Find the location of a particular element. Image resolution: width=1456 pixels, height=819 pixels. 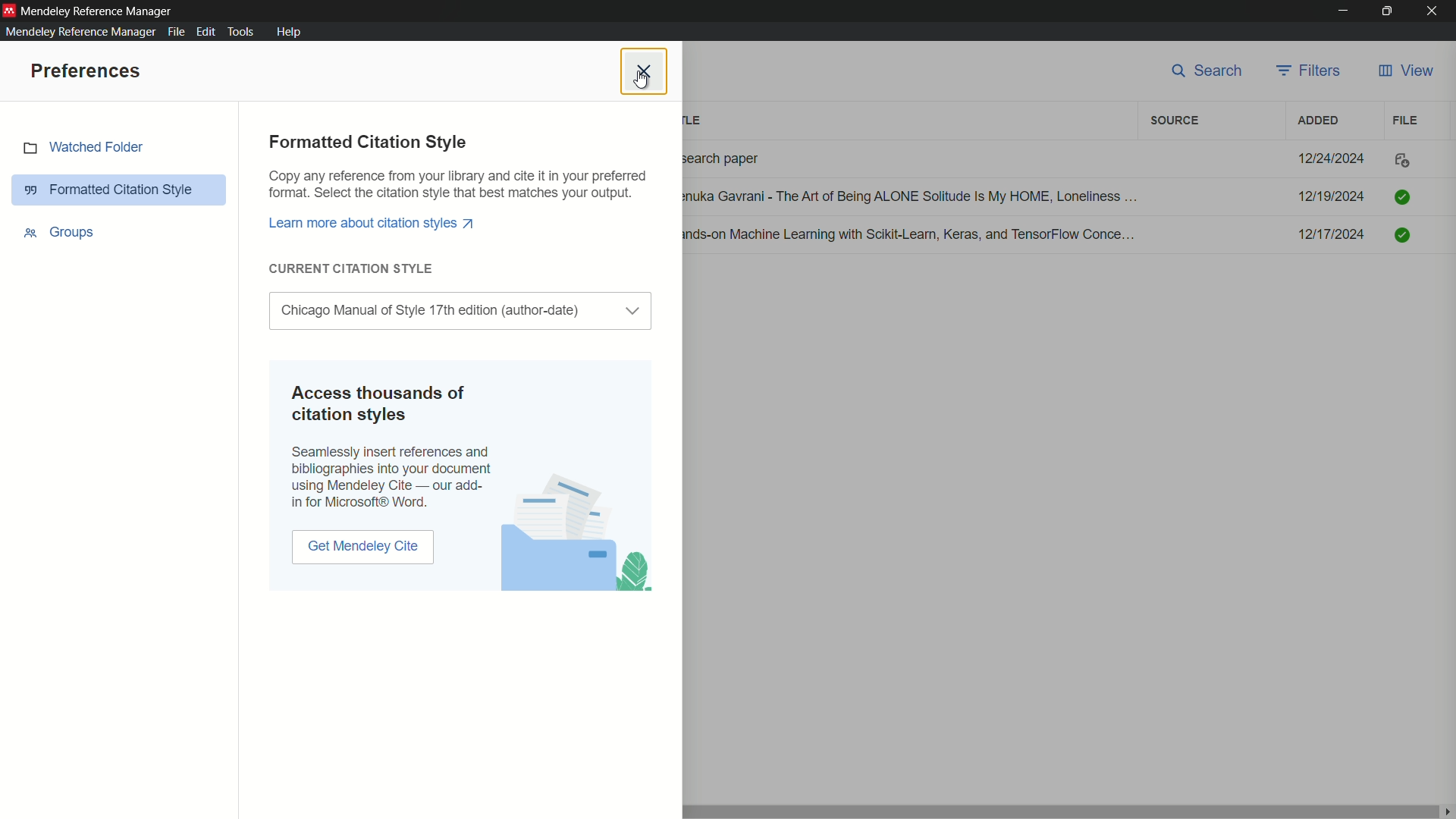

formatted citation style is located at coordinates (370, 141).